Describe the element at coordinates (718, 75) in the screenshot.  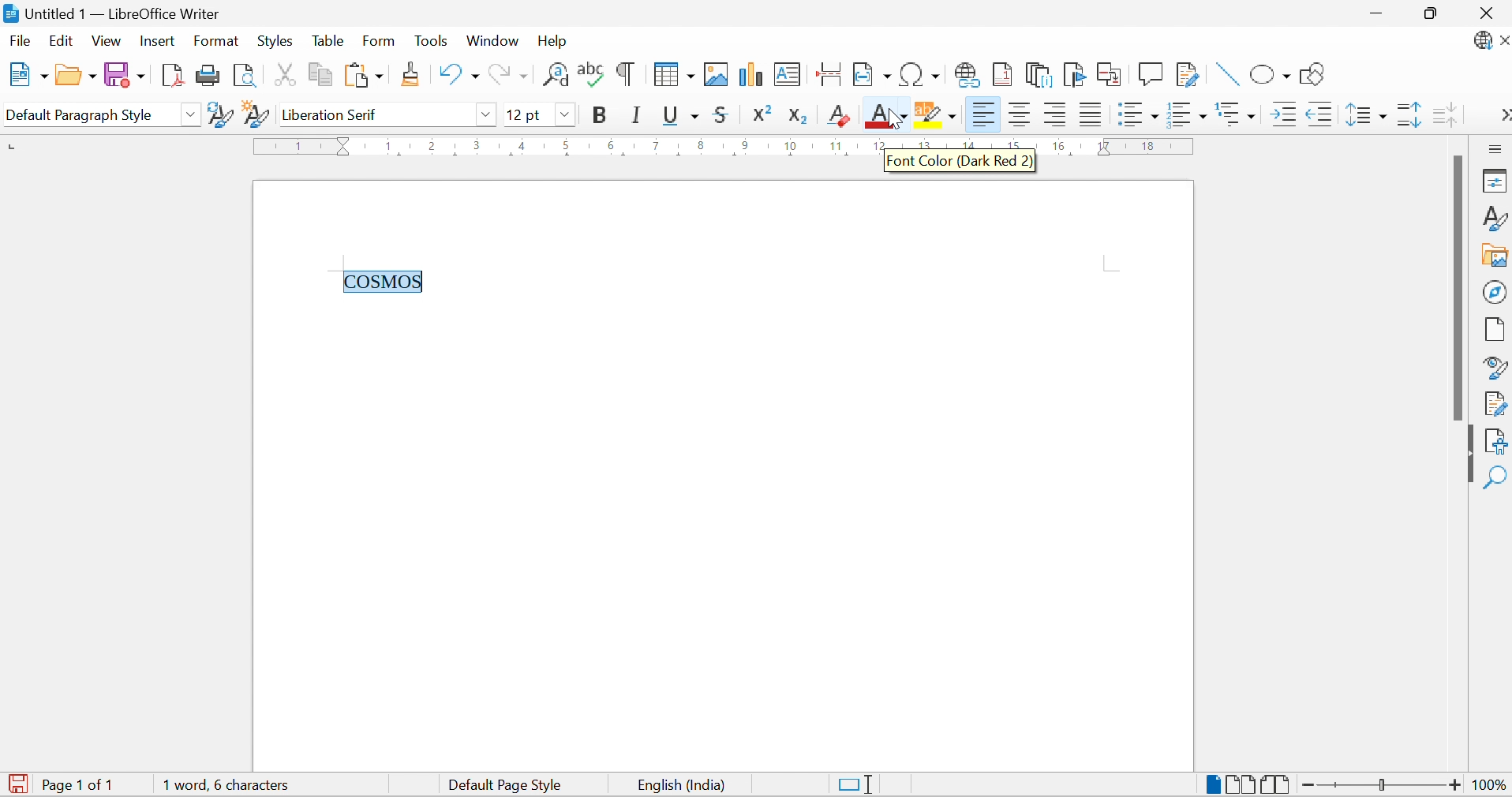
I see `Insert Image` at that location.